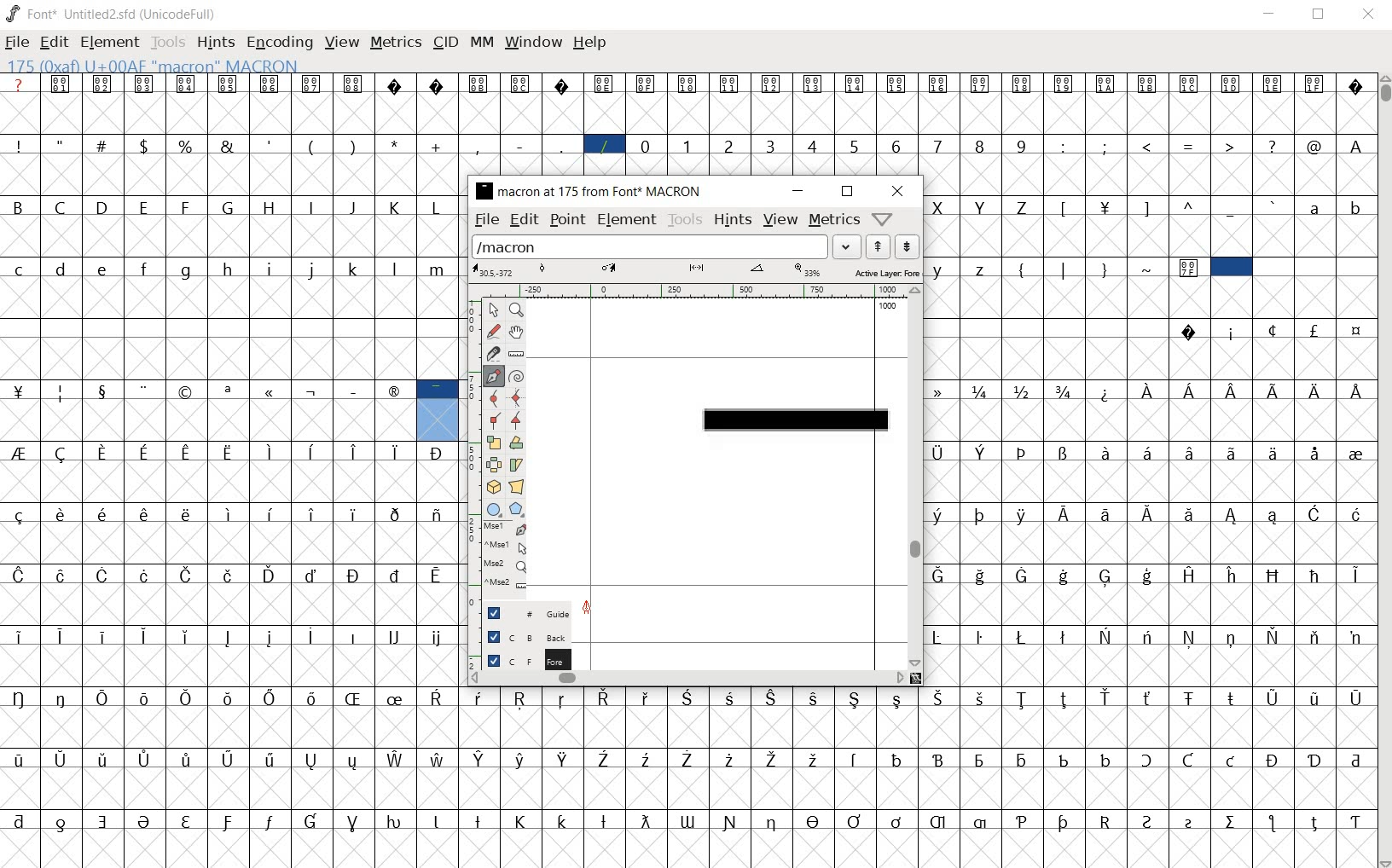 This screenshot has height=868, width=1392. I want to click on Symbol, so click(20, 636).